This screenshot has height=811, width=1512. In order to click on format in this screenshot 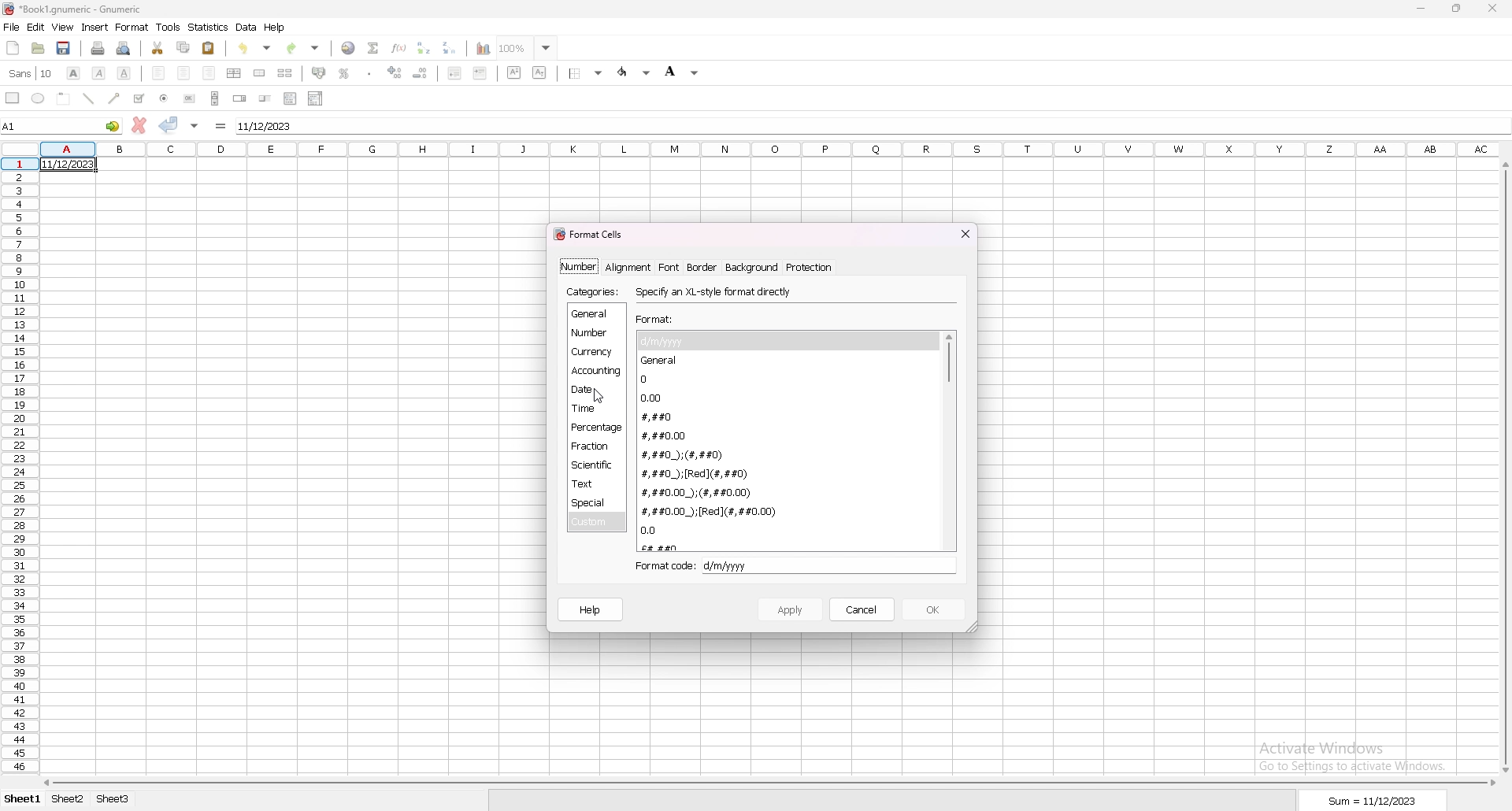, I will do `click(132, 27)`.